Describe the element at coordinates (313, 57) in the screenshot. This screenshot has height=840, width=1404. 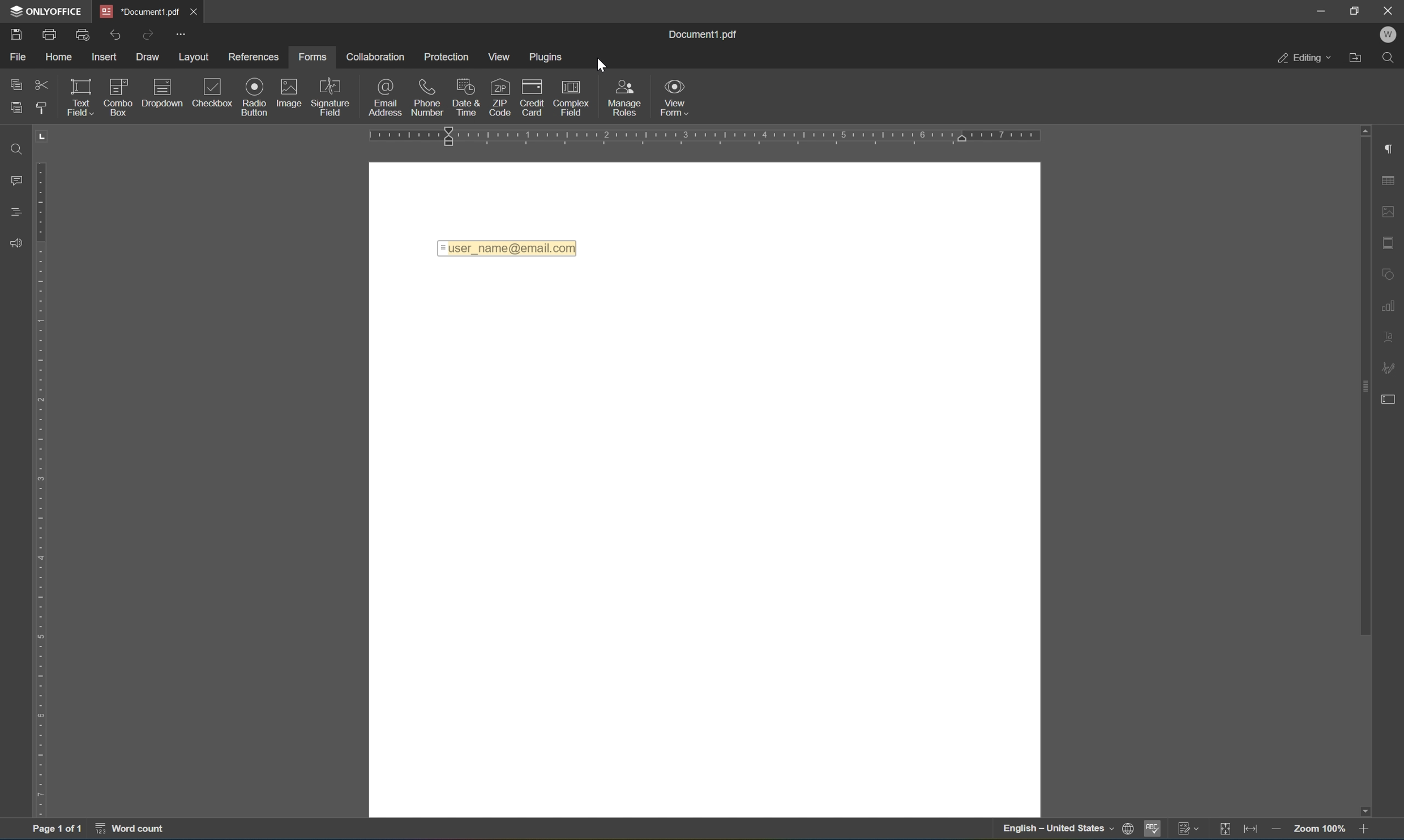
I see `forms` at that location.